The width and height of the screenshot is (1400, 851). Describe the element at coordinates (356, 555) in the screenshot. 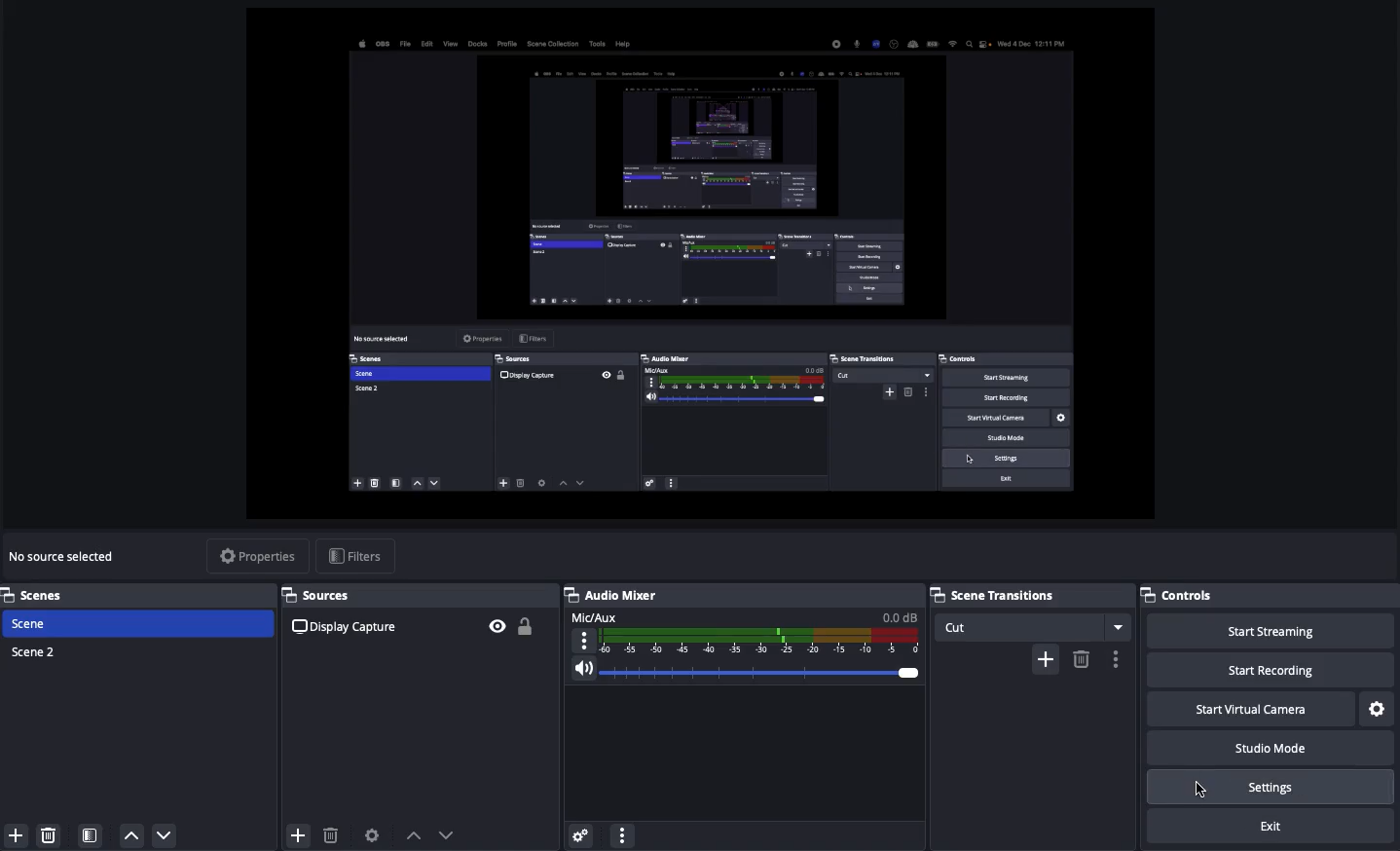

I see `Filters` at that location.